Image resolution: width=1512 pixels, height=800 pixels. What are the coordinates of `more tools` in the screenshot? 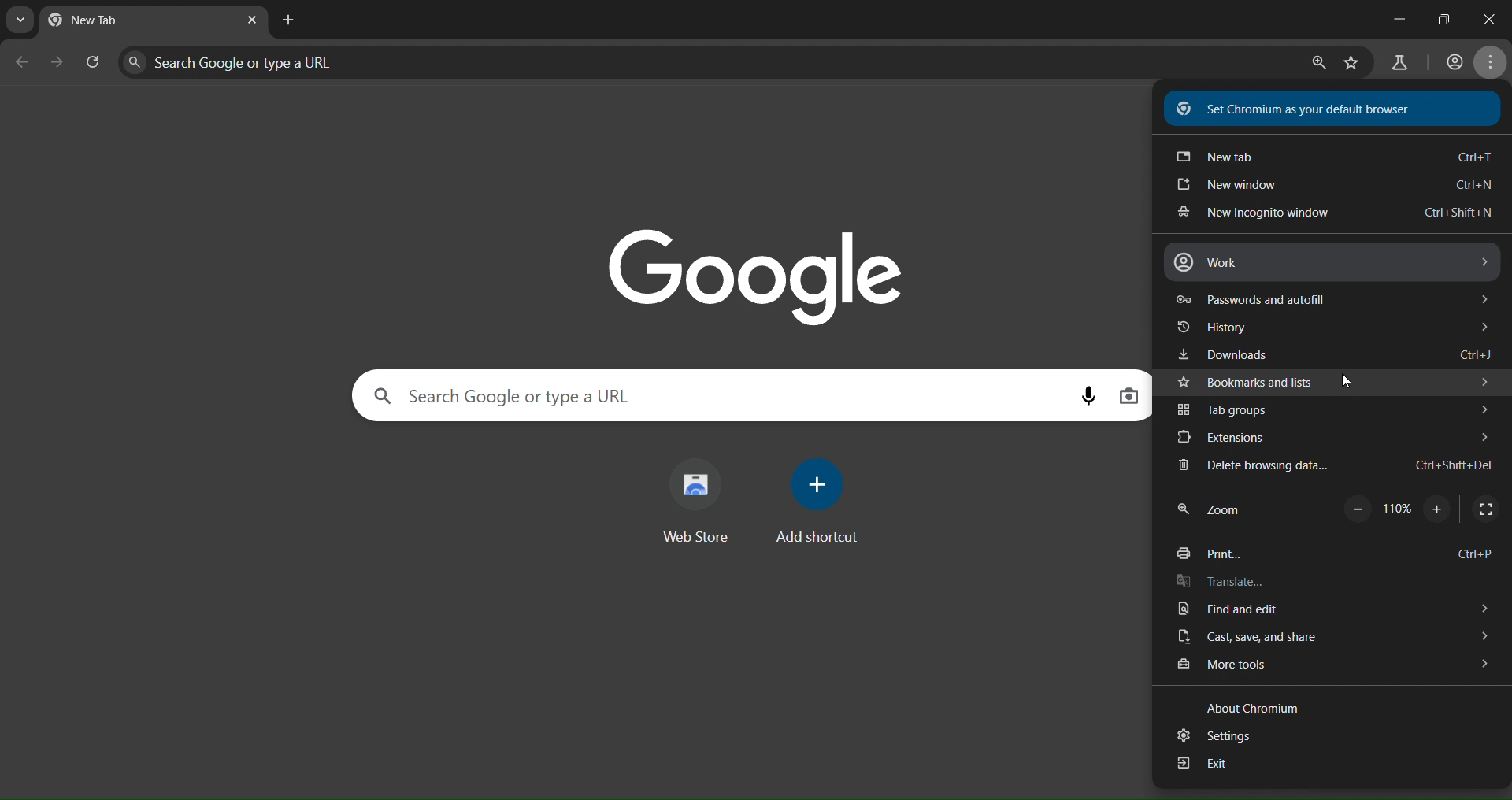 It's located at (1334, 667).